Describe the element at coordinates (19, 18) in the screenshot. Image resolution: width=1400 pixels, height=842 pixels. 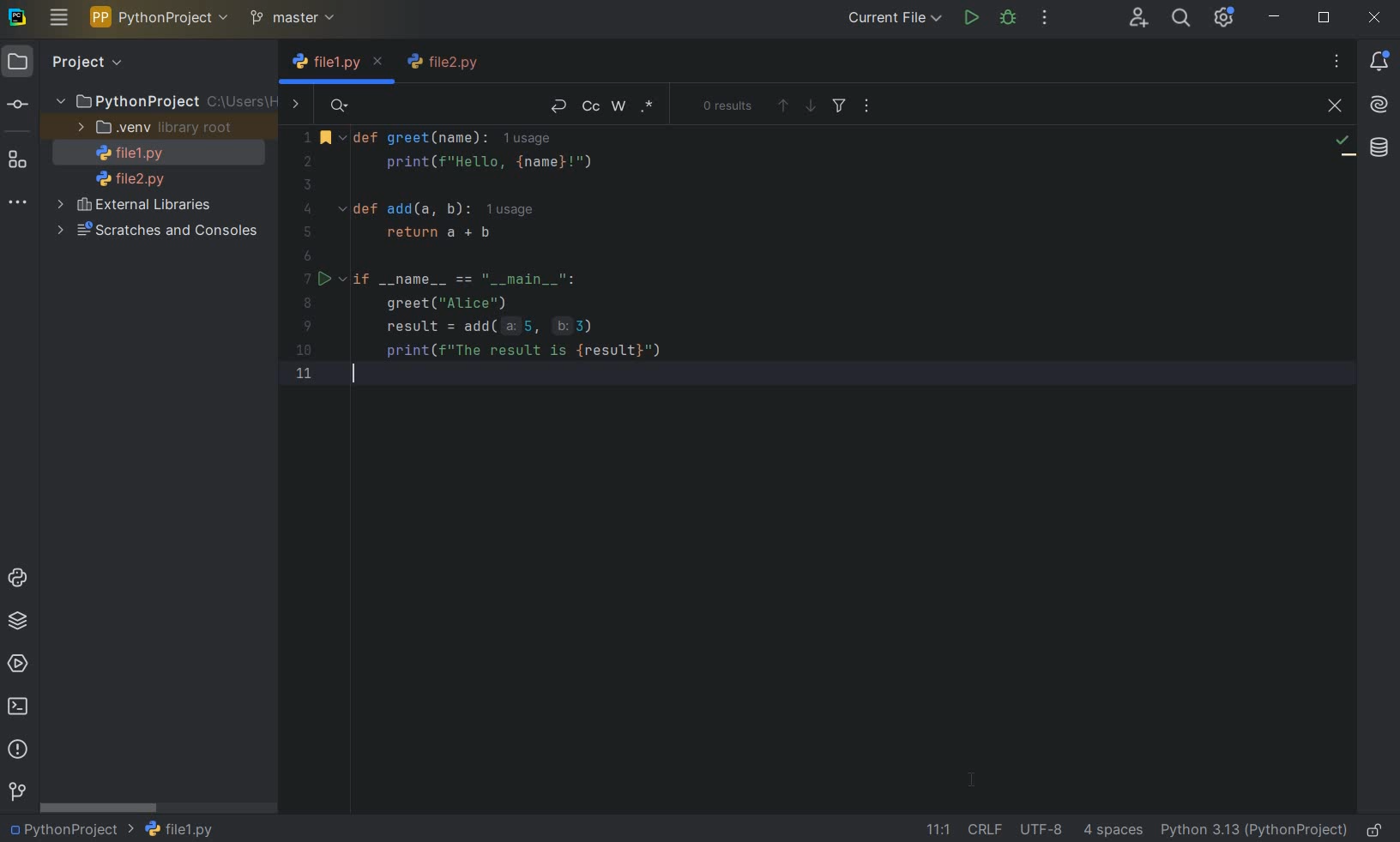
I see `SYSTEM LOGO` at that location.